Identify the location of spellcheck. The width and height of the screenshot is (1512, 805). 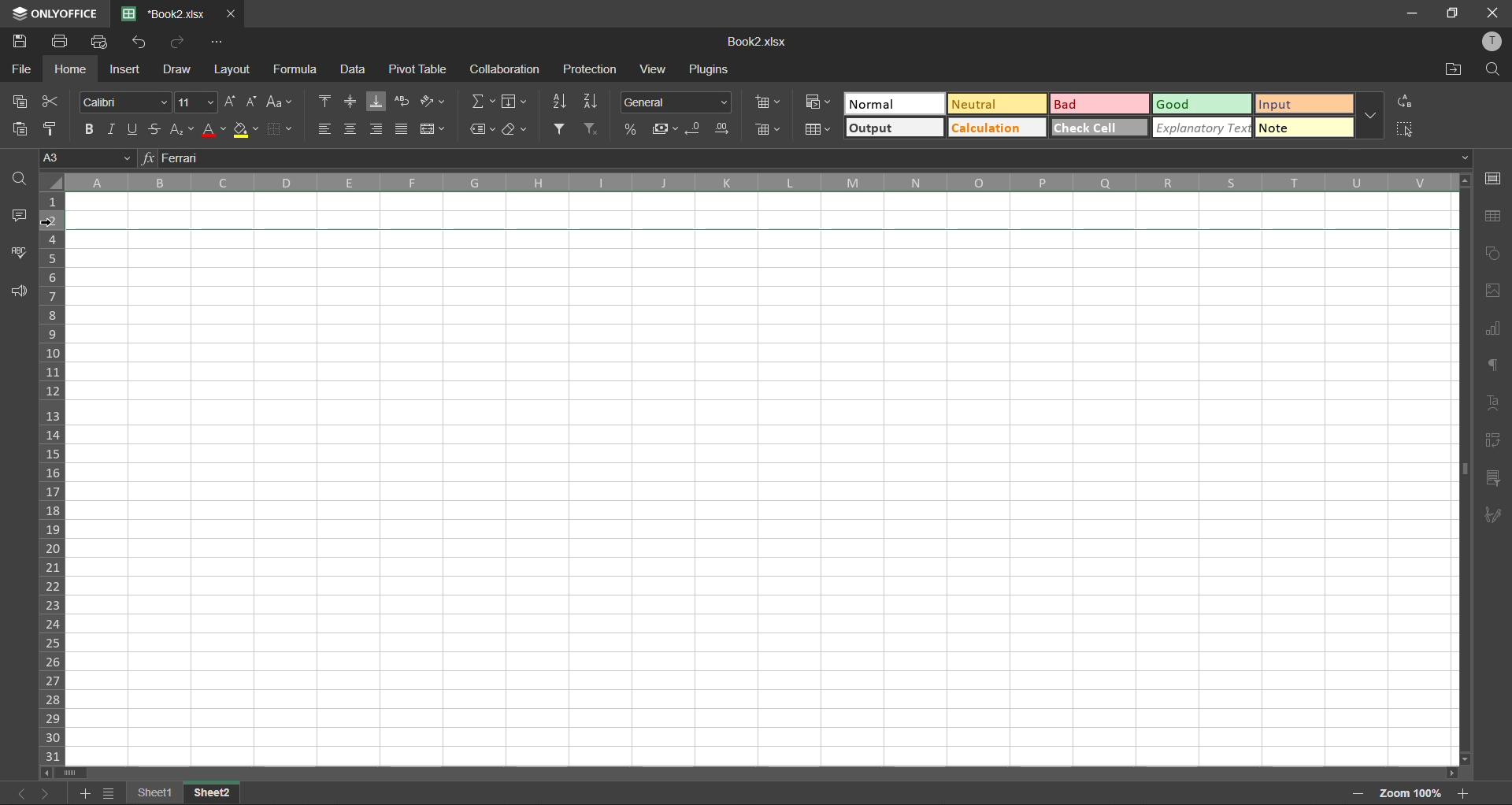
(19, 254).